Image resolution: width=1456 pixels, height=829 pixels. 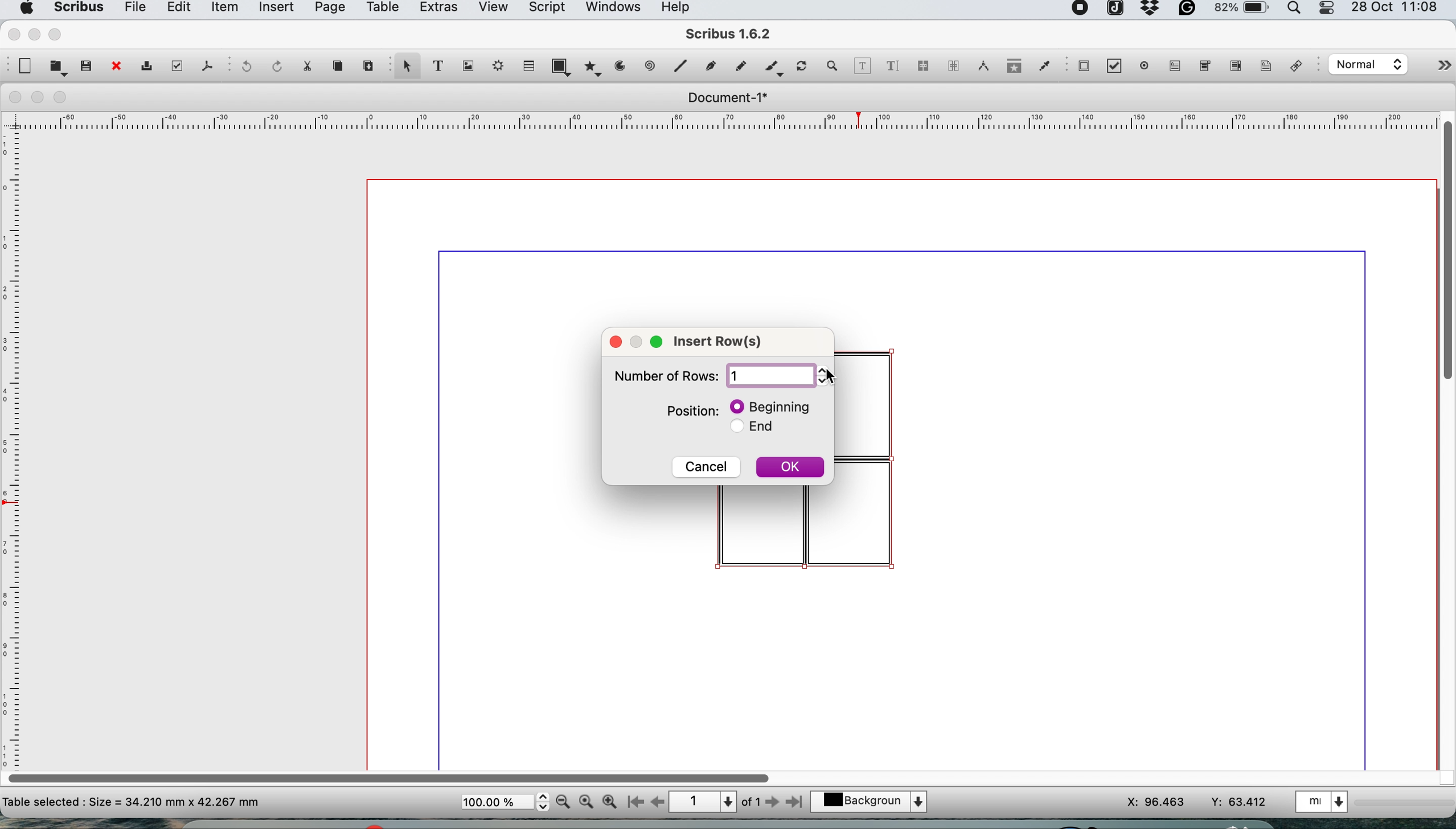 I want to click on horizontal scroll bar, so click(x=392, y=774).